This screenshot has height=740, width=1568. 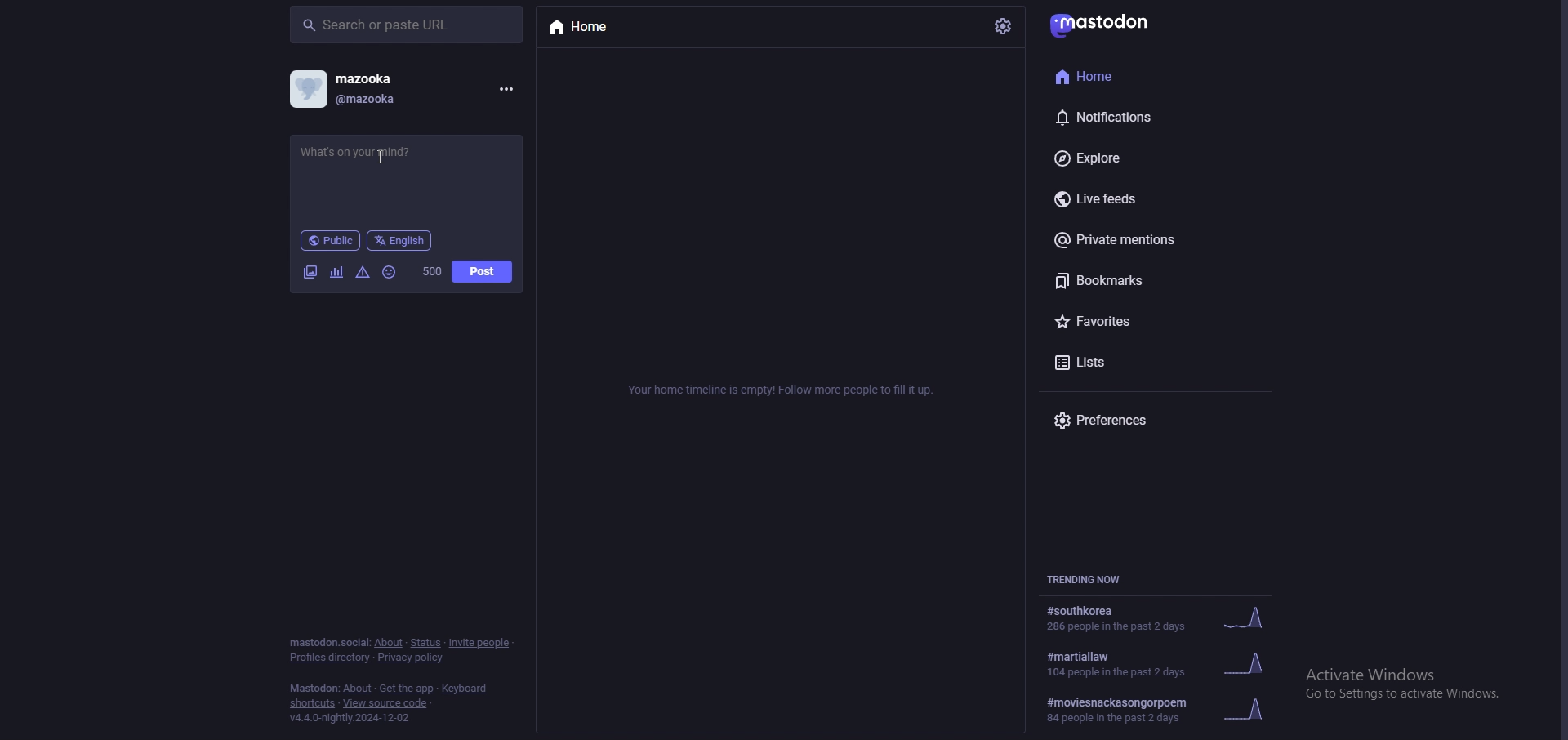 I want to click on profile, so click(x=347, y=89).